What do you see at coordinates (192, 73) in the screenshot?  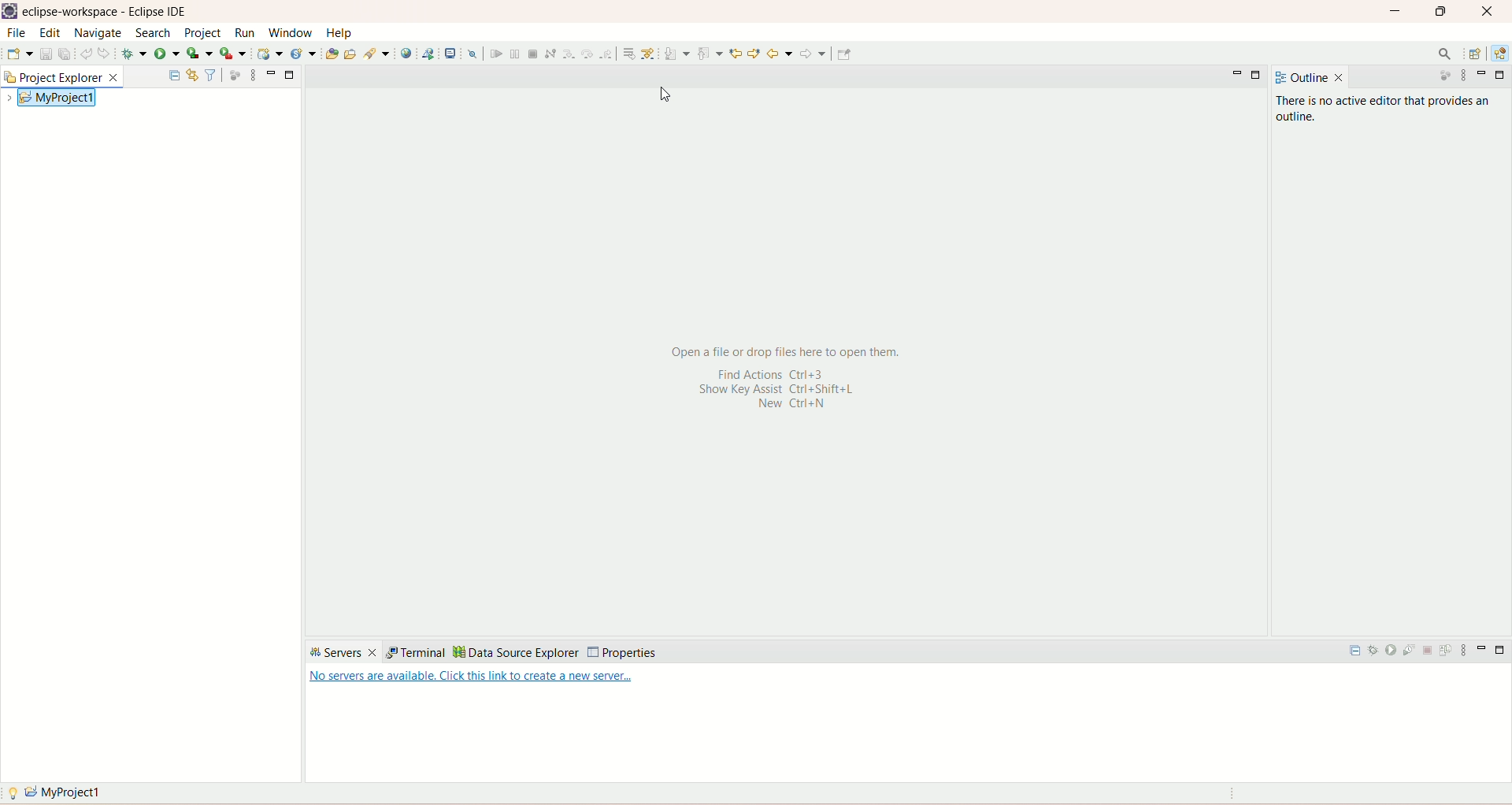 I see `link with editor` at bounding box center [192, 73].